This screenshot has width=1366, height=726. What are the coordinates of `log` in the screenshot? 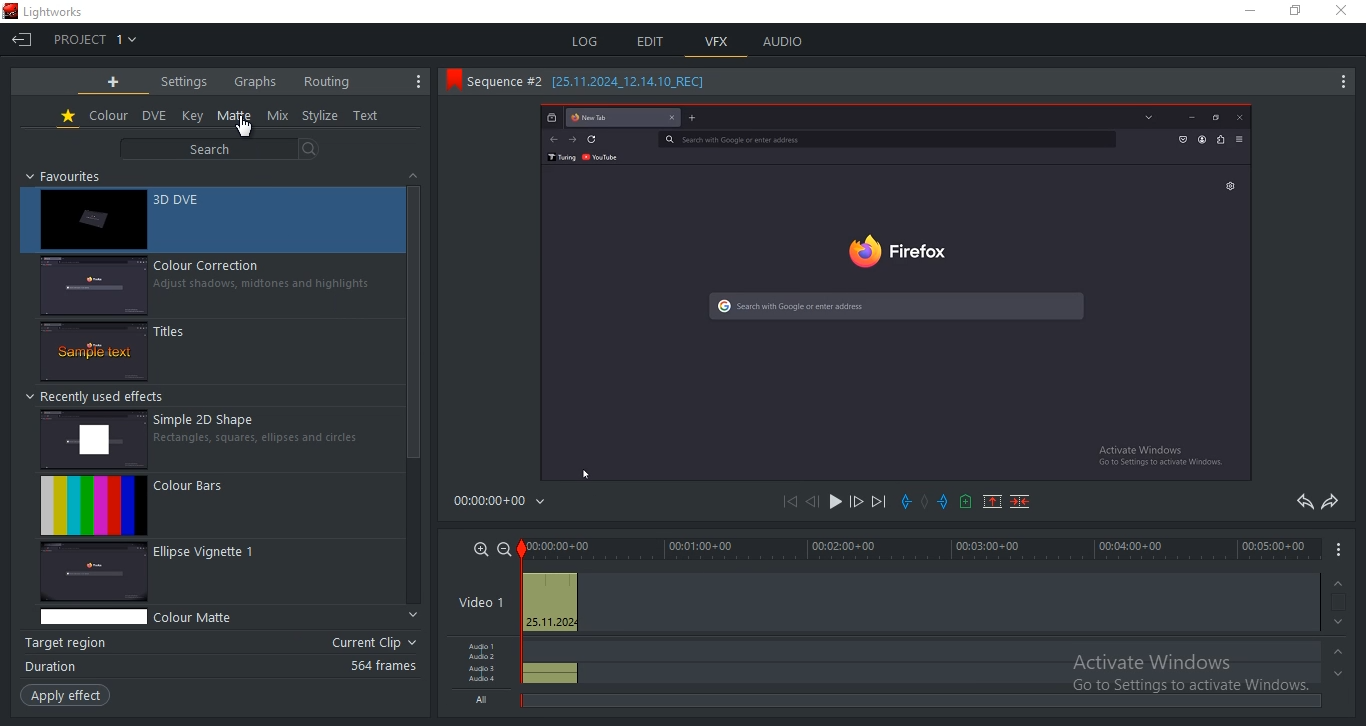 It's located at (583, 39).